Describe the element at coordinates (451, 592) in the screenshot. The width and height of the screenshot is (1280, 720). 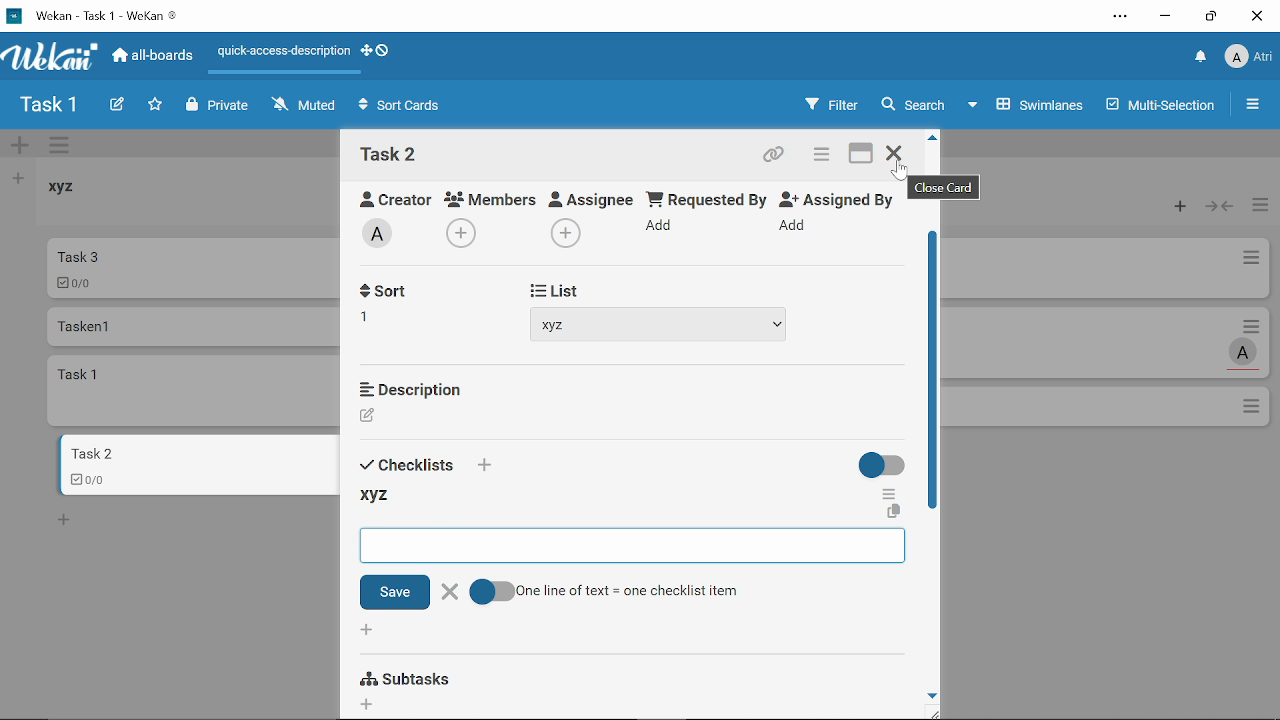
I see `Close` at that location.